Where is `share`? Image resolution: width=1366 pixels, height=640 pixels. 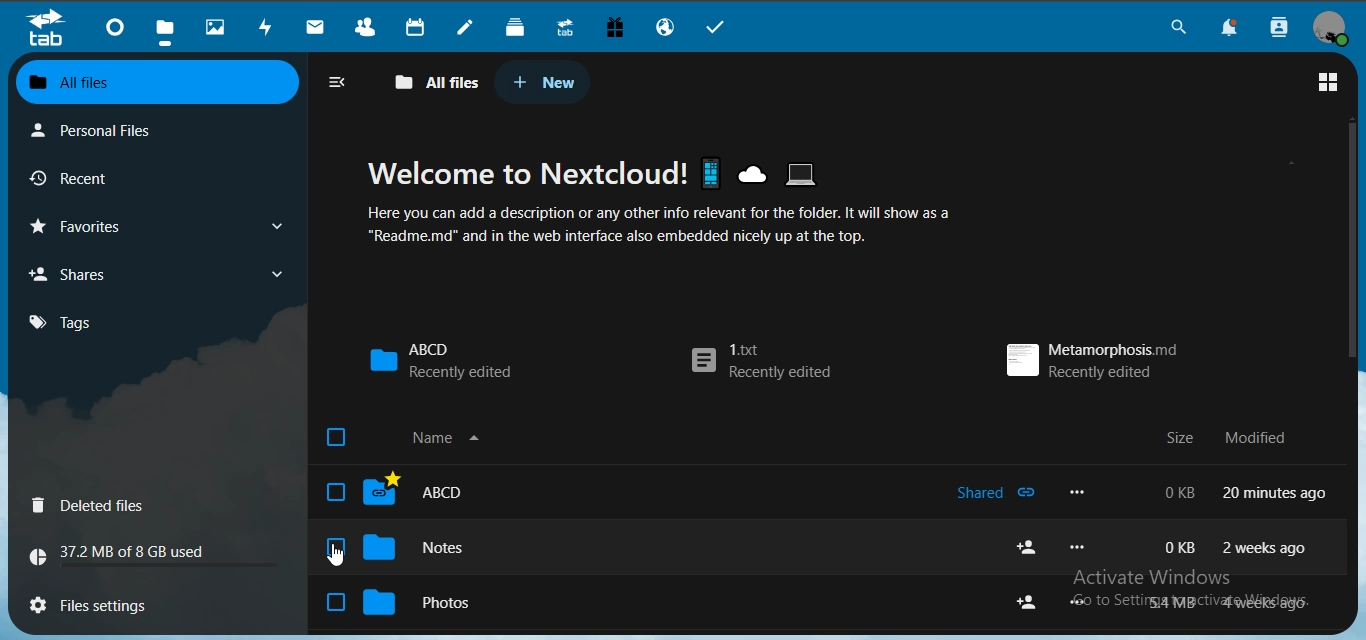
share is located at coordinates (1030, 601).